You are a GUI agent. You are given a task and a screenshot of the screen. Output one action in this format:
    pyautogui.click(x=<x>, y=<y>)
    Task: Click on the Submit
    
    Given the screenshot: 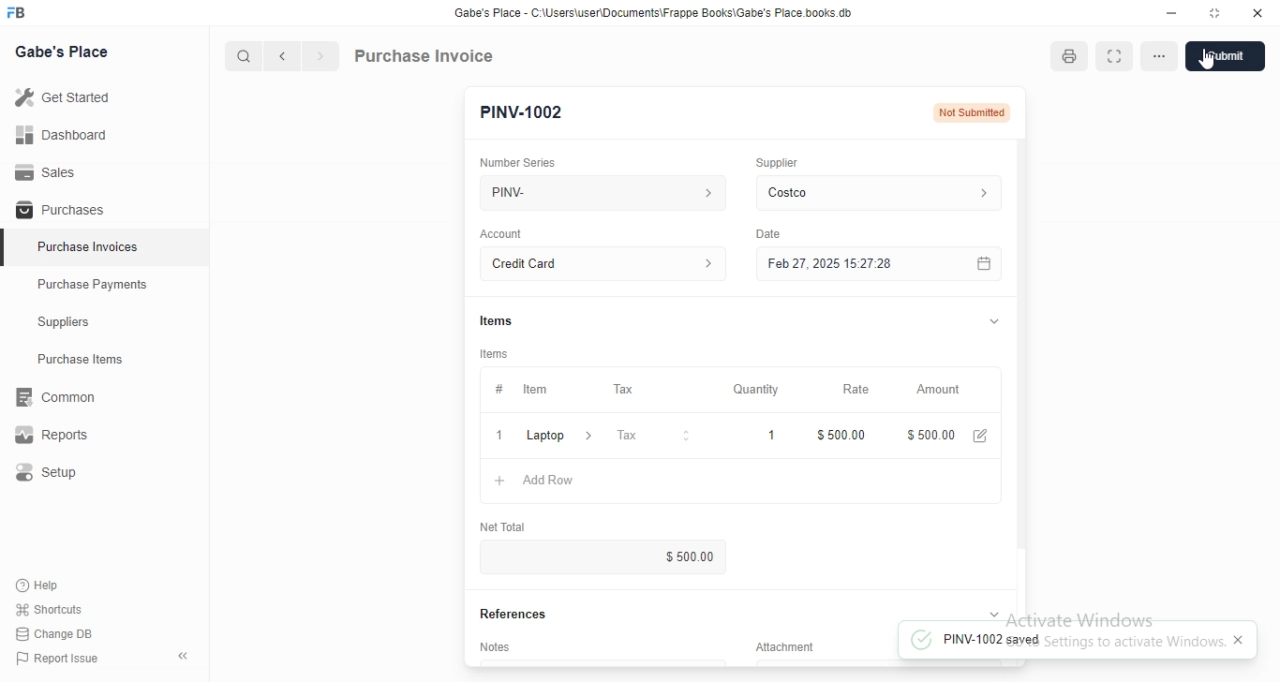 What is the action you would take?
    pyautogui.click(x=1225, y=56)
    